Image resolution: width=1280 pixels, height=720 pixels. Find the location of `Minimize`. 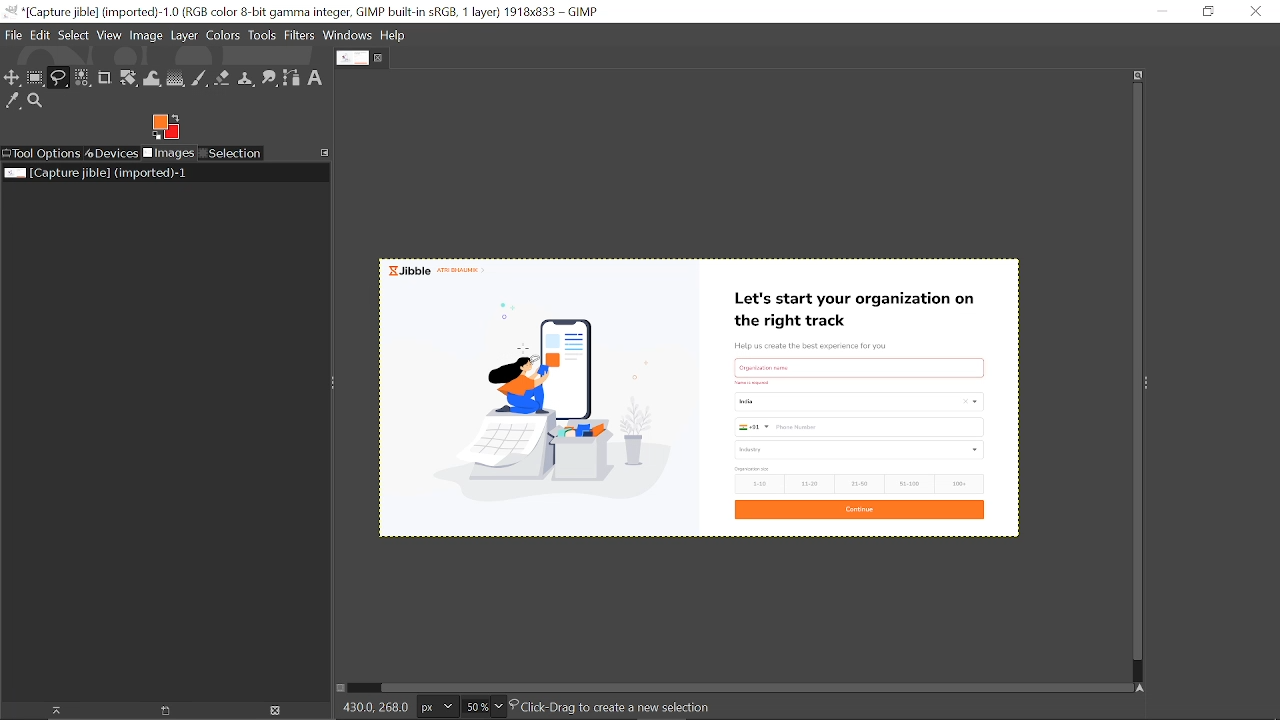

Minimize is located at coordinates (1159, 11).